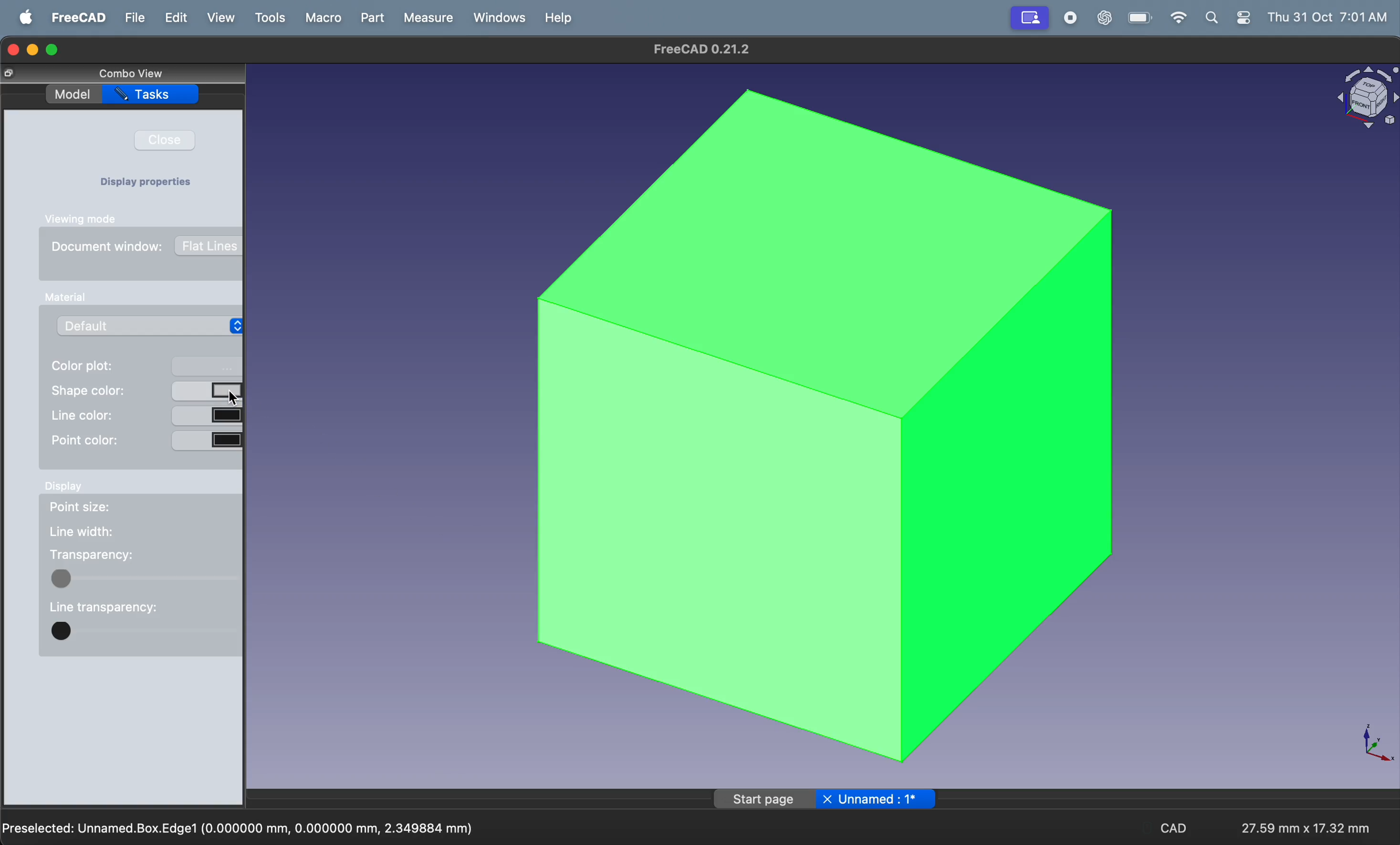 Image resolution: width=1400 pixels, height=845 pixels. I want to click on view, so click(224, 19).